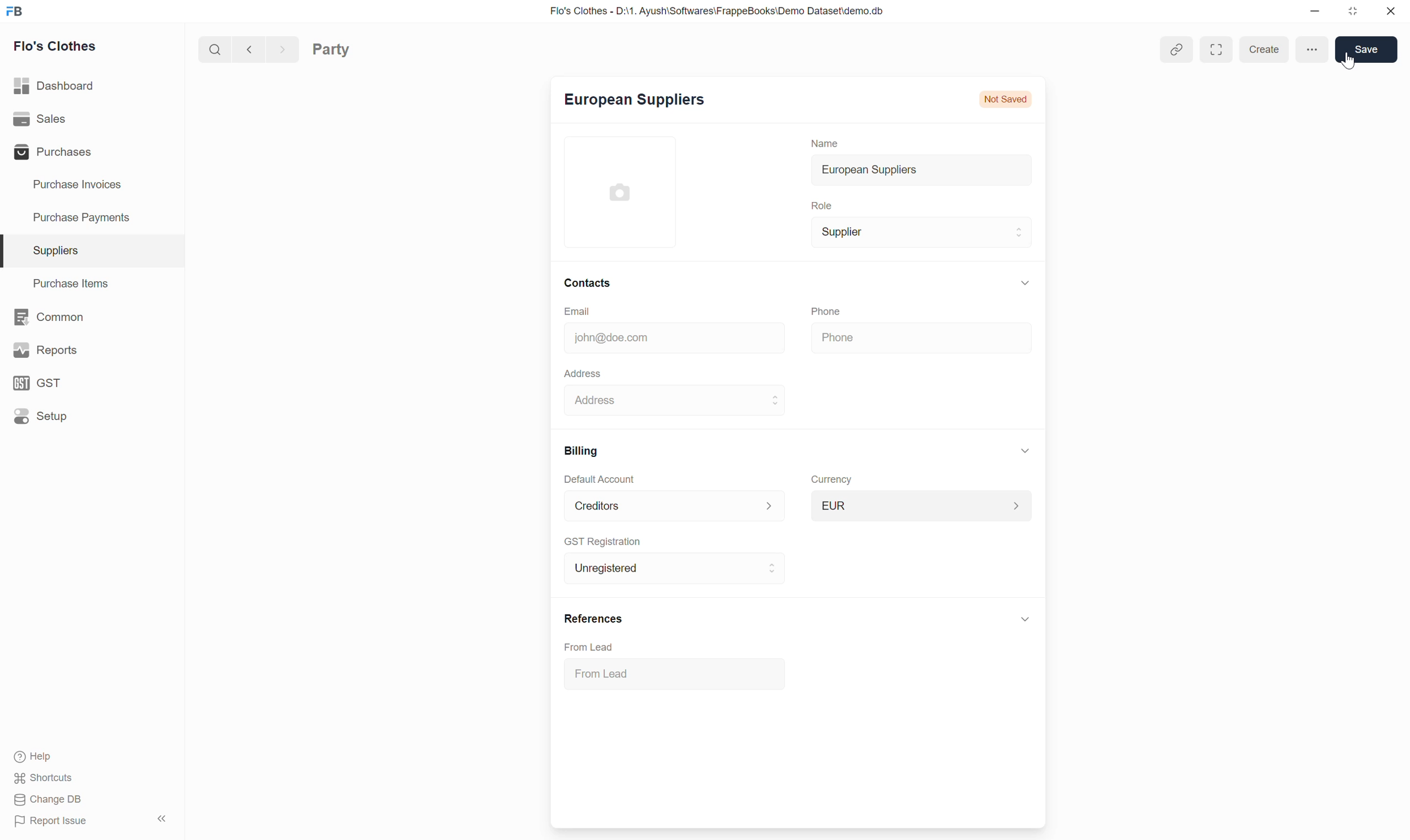  I want to click on Flo's Clothes - D:\1. Ayush\Softwares\FrappeBooks\Demo Dataset\demo.db, so click(704, 9).